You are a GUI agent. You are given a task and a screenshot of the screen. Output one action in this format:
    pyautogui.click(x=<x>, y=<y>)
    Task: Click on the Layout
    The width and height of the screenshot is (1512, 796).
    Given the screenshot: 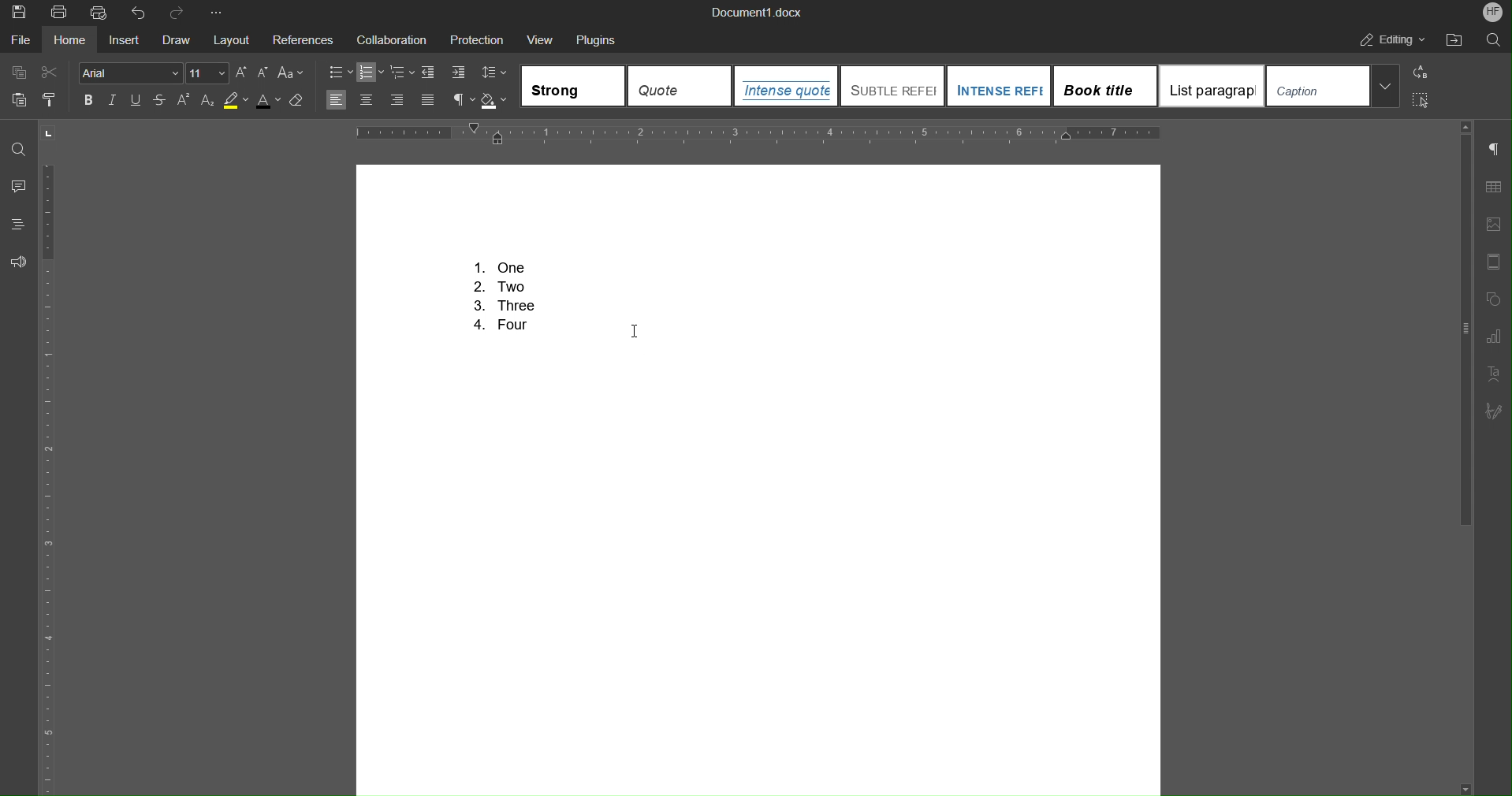 What is the action you would take?
    pyautogui.click(x=232, y=36)
    